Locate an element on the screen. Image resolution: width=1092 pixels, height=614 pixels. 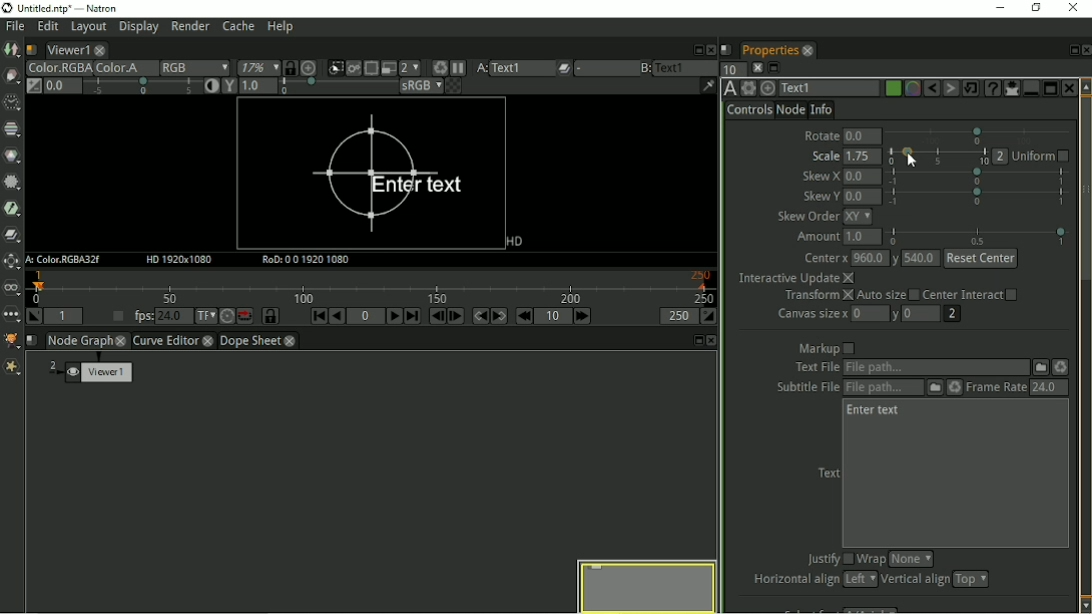
The playback out point is located at coordinates (676, 316).